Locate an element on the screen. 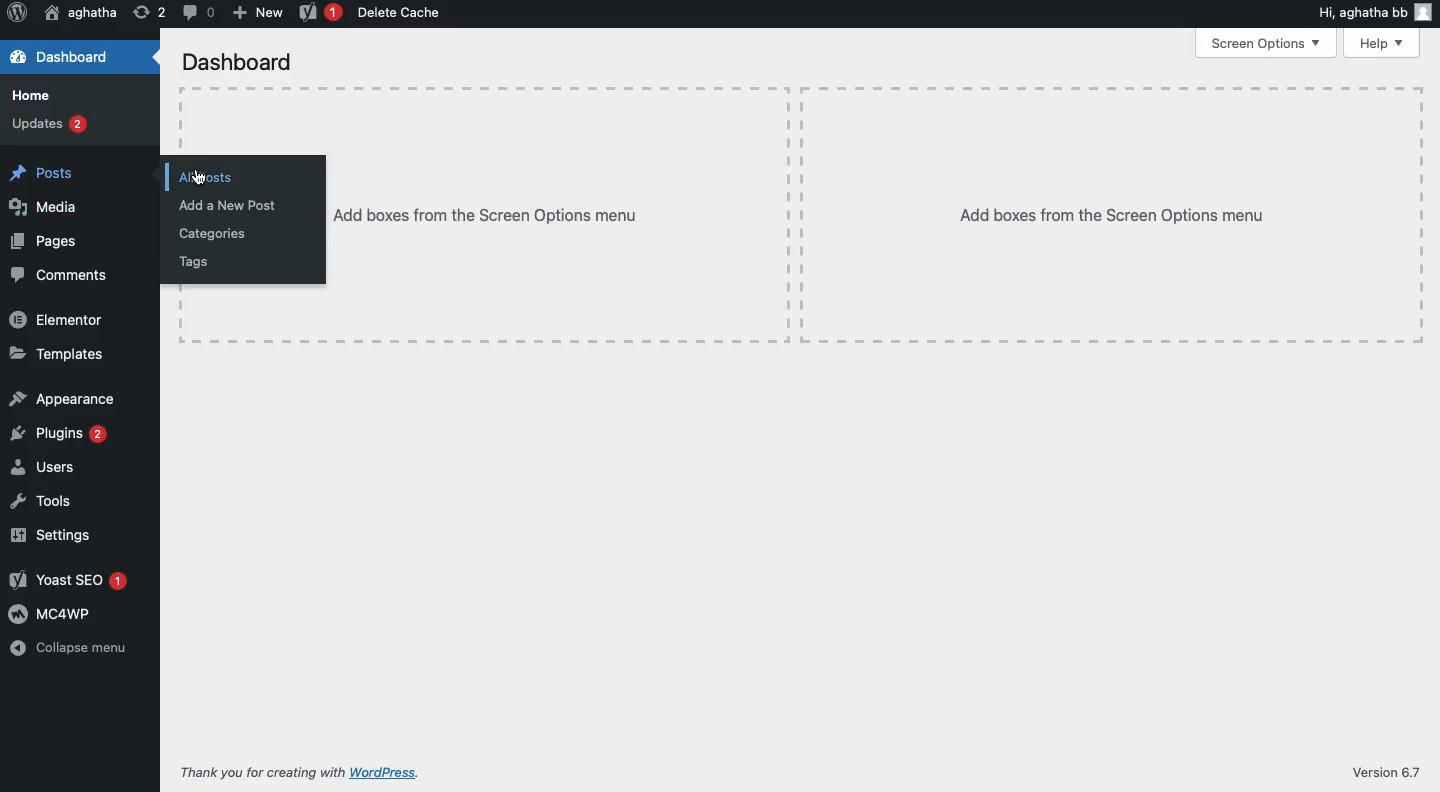 This screenshot has width=1440, height=792. Table line is located at coordinates (803, 339).